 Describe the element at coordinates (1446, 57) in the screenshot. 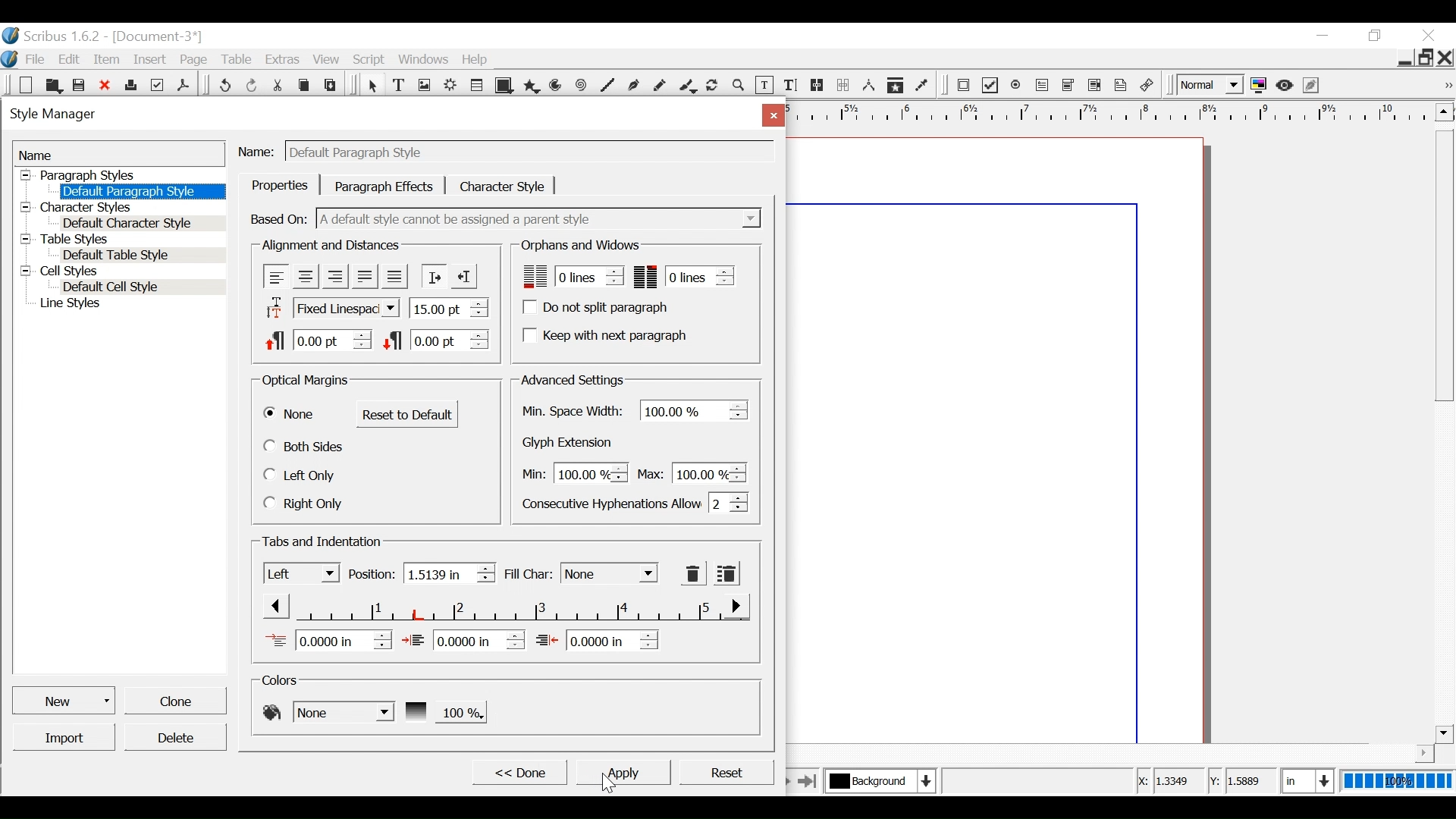

I see `Close` at that location.